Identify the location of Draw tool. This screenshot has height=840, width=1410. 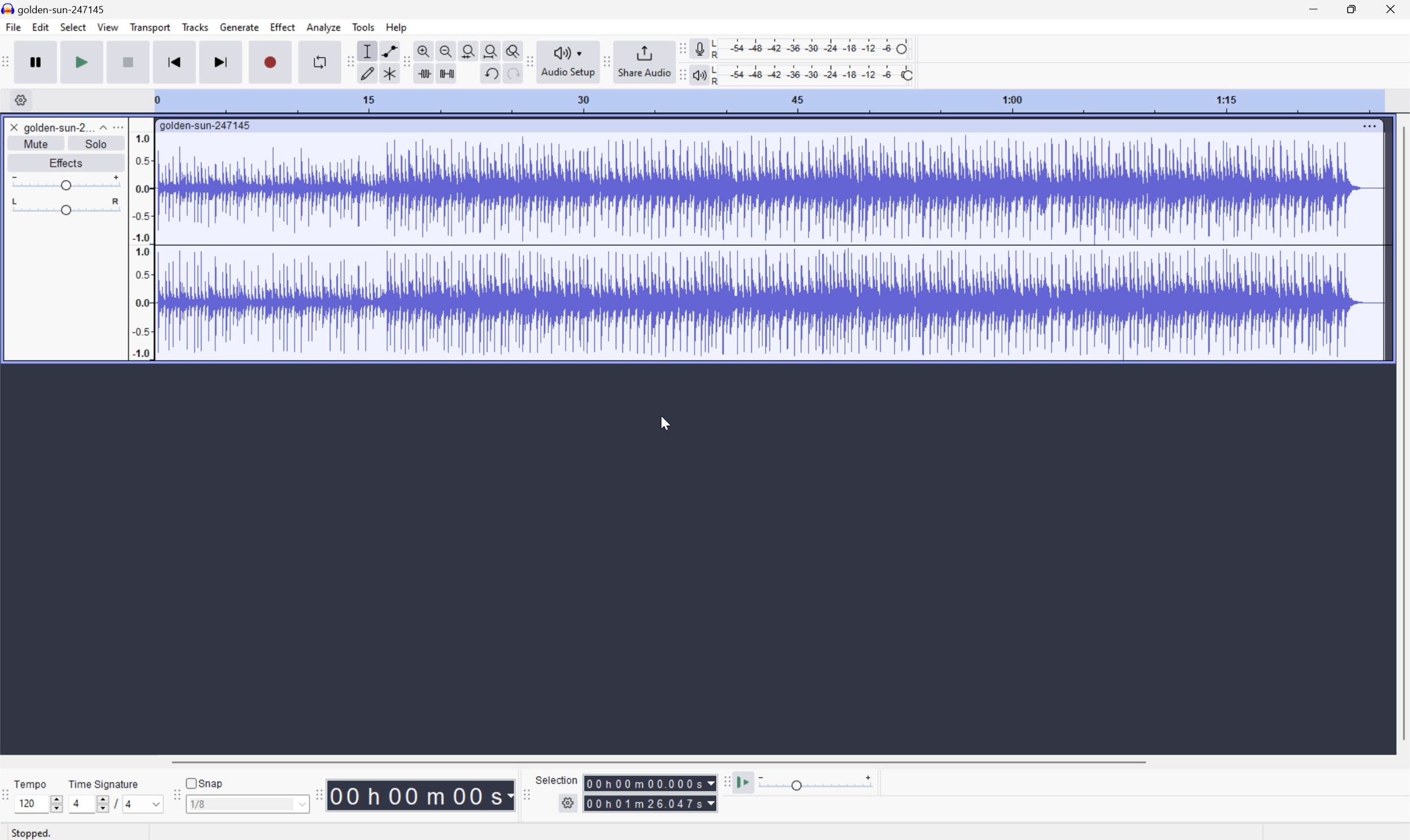
(368, 74).